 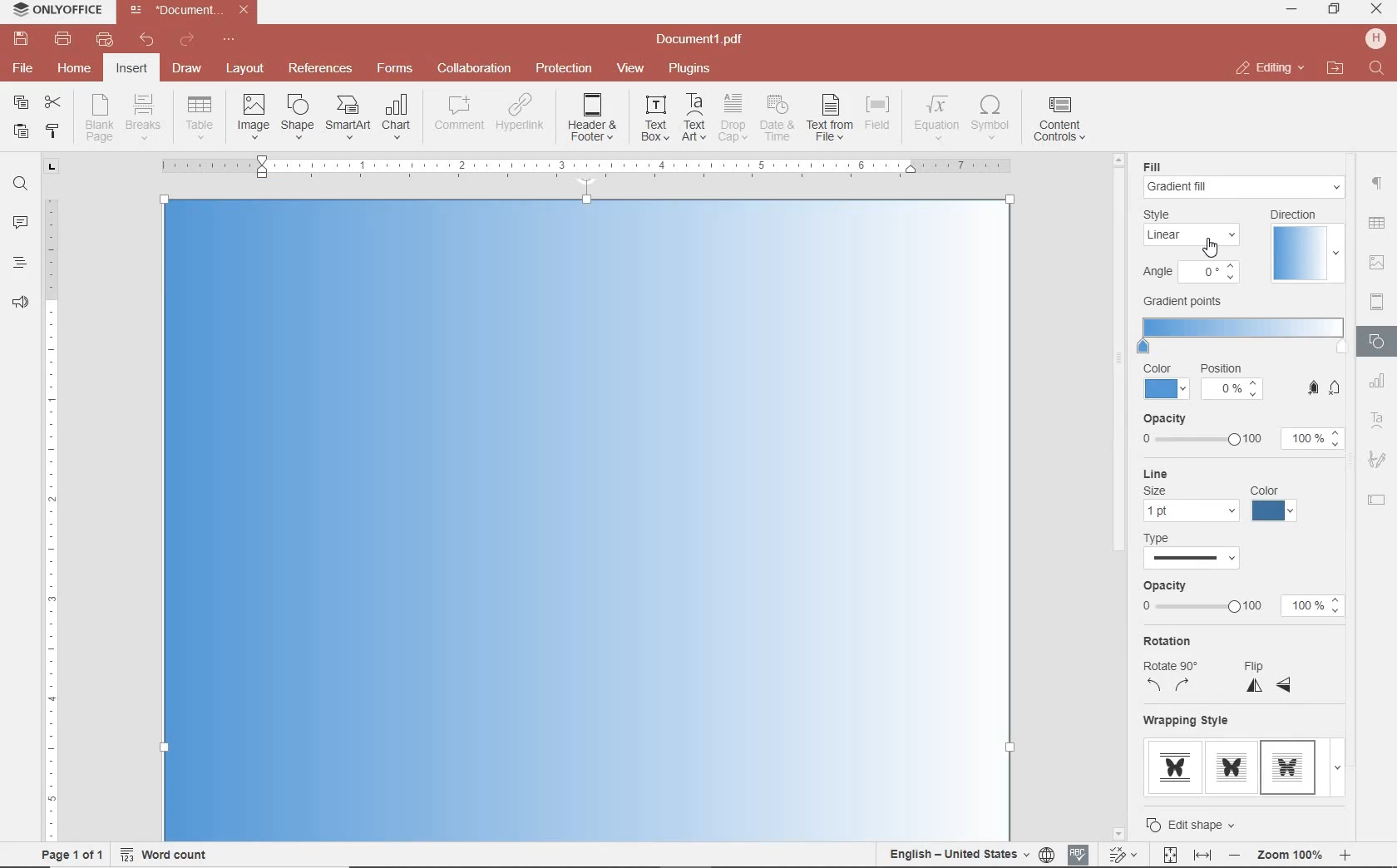 I want to click on , so click(x=1375, y=224).